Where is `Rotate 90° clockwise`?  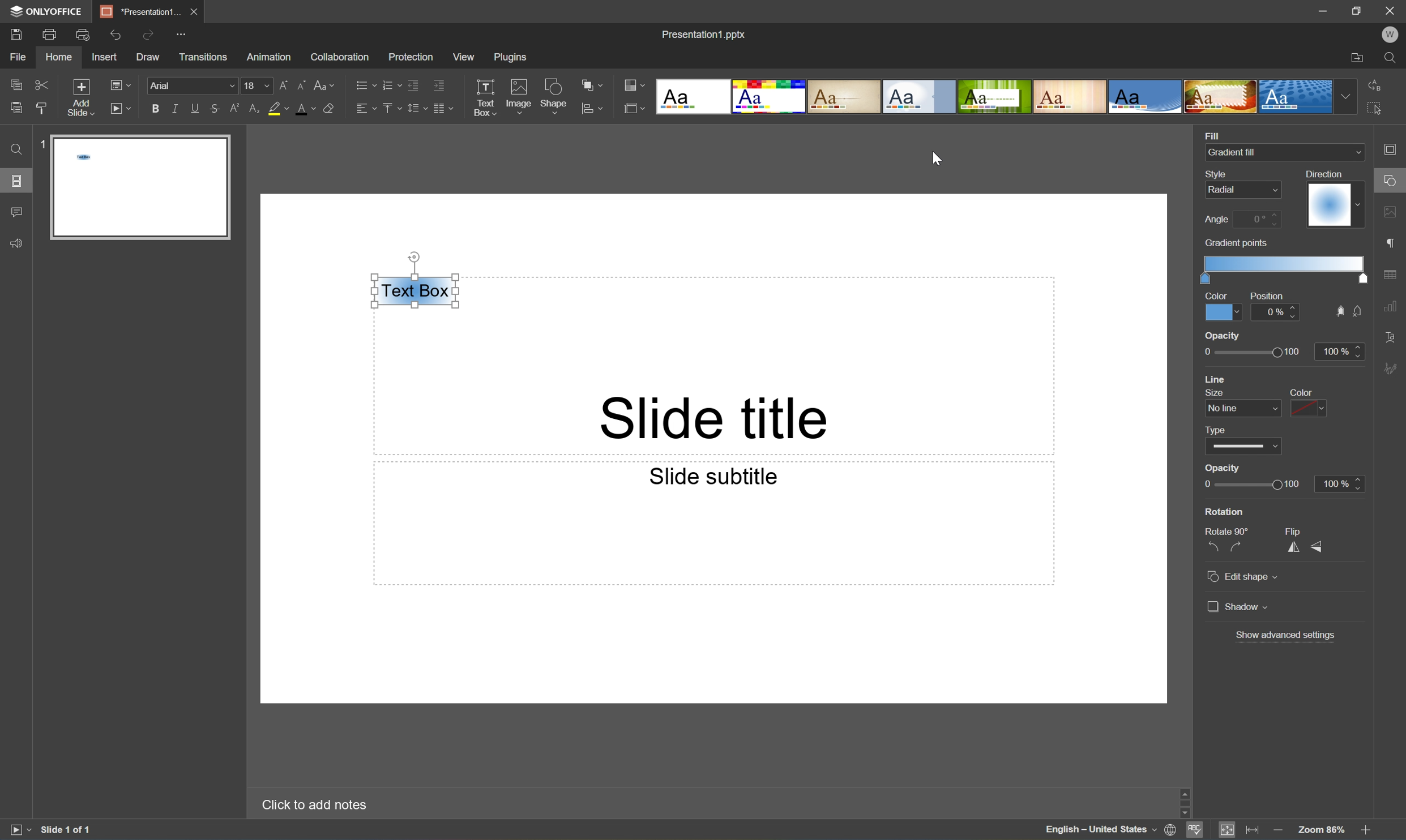
Rotate 90° clockwise is located at coordinates (1239, 546).